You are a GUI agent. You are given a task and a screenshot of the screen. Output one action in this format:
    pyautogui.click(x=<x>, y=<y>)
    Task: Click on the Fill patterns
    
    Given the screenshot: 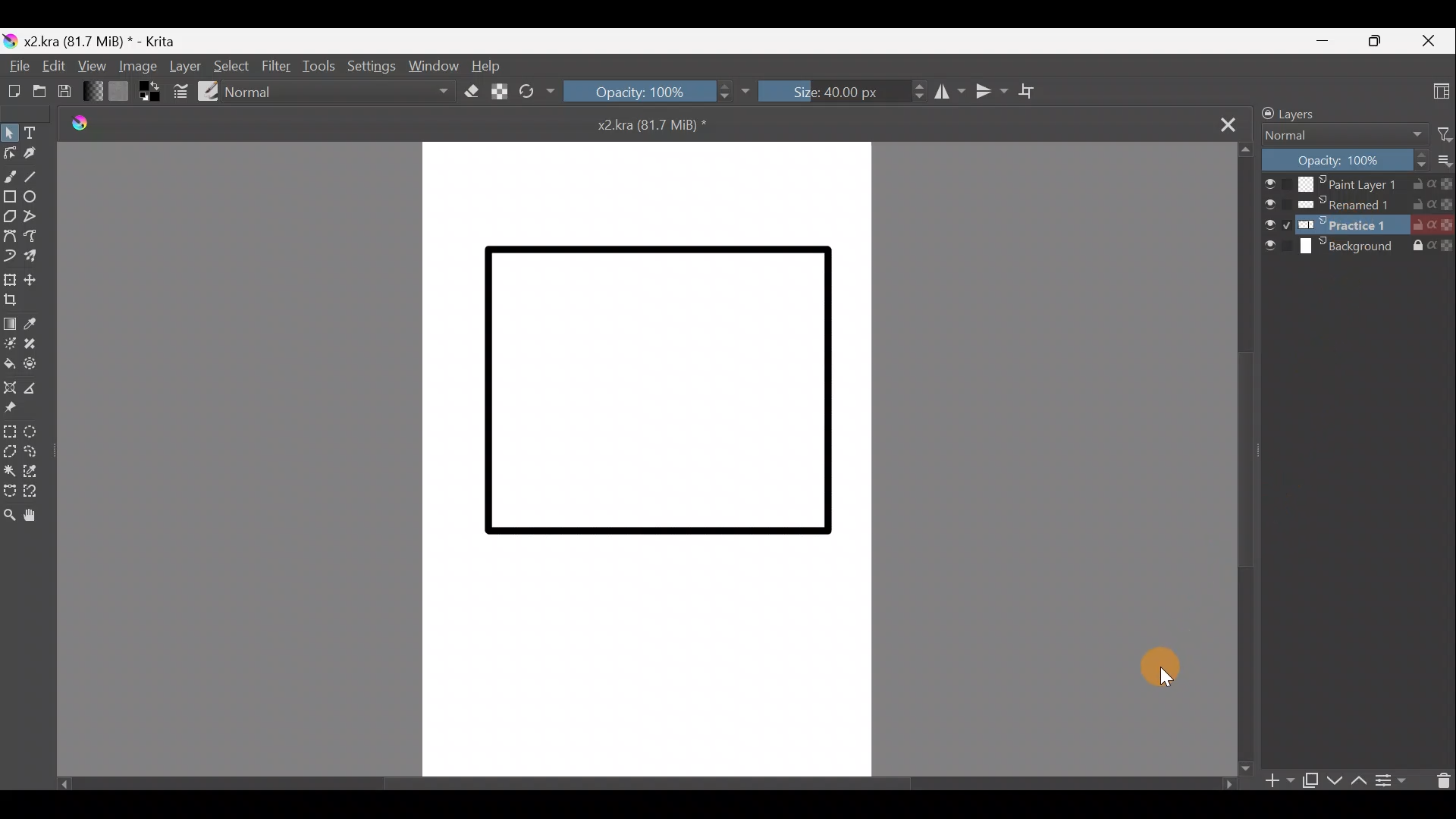 What is the action you would take?
    pyautogui.click(x=120, y=90)
    